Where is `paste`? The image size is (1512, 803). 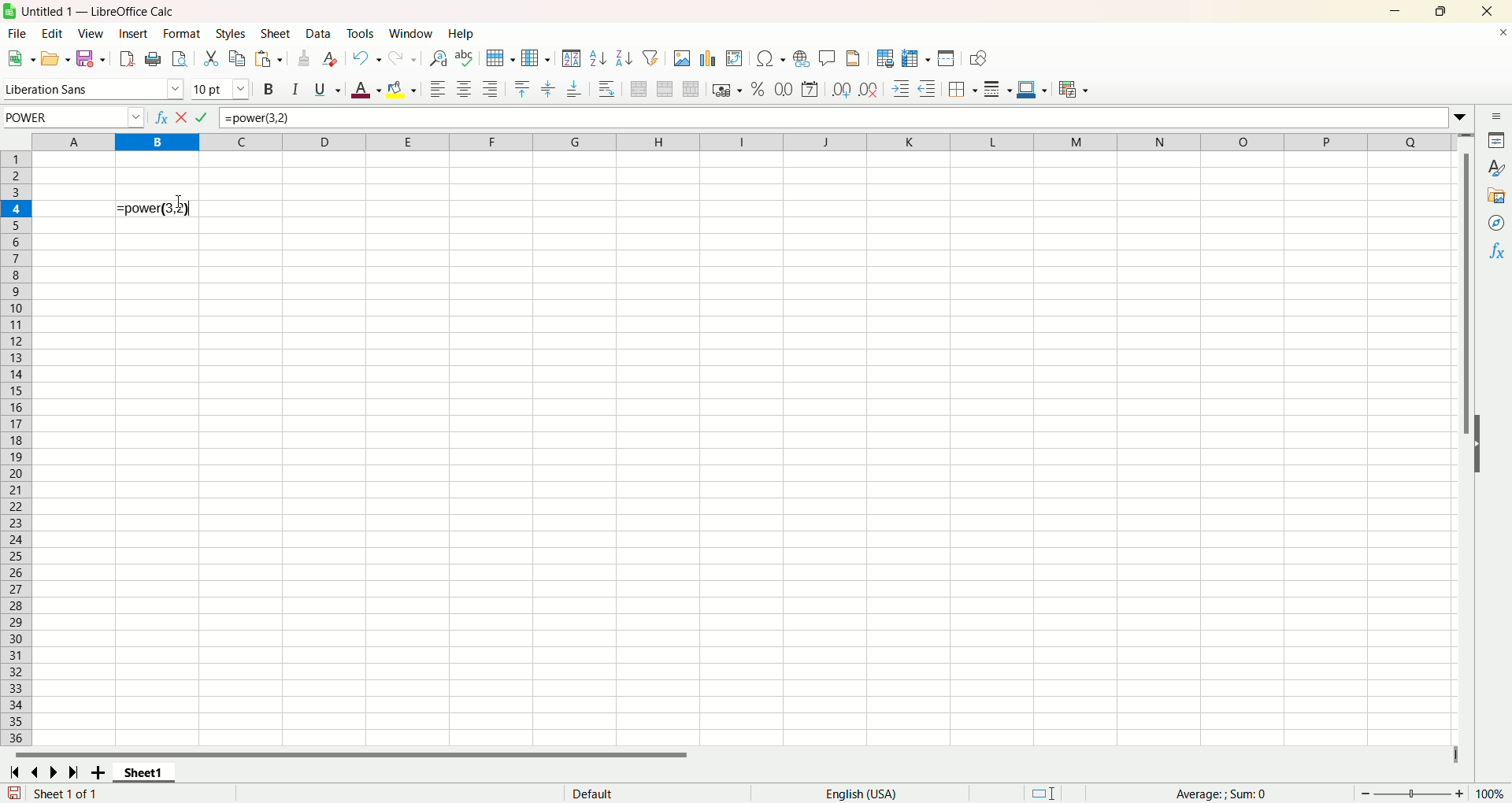
paste is located at coordinates (269, 60).